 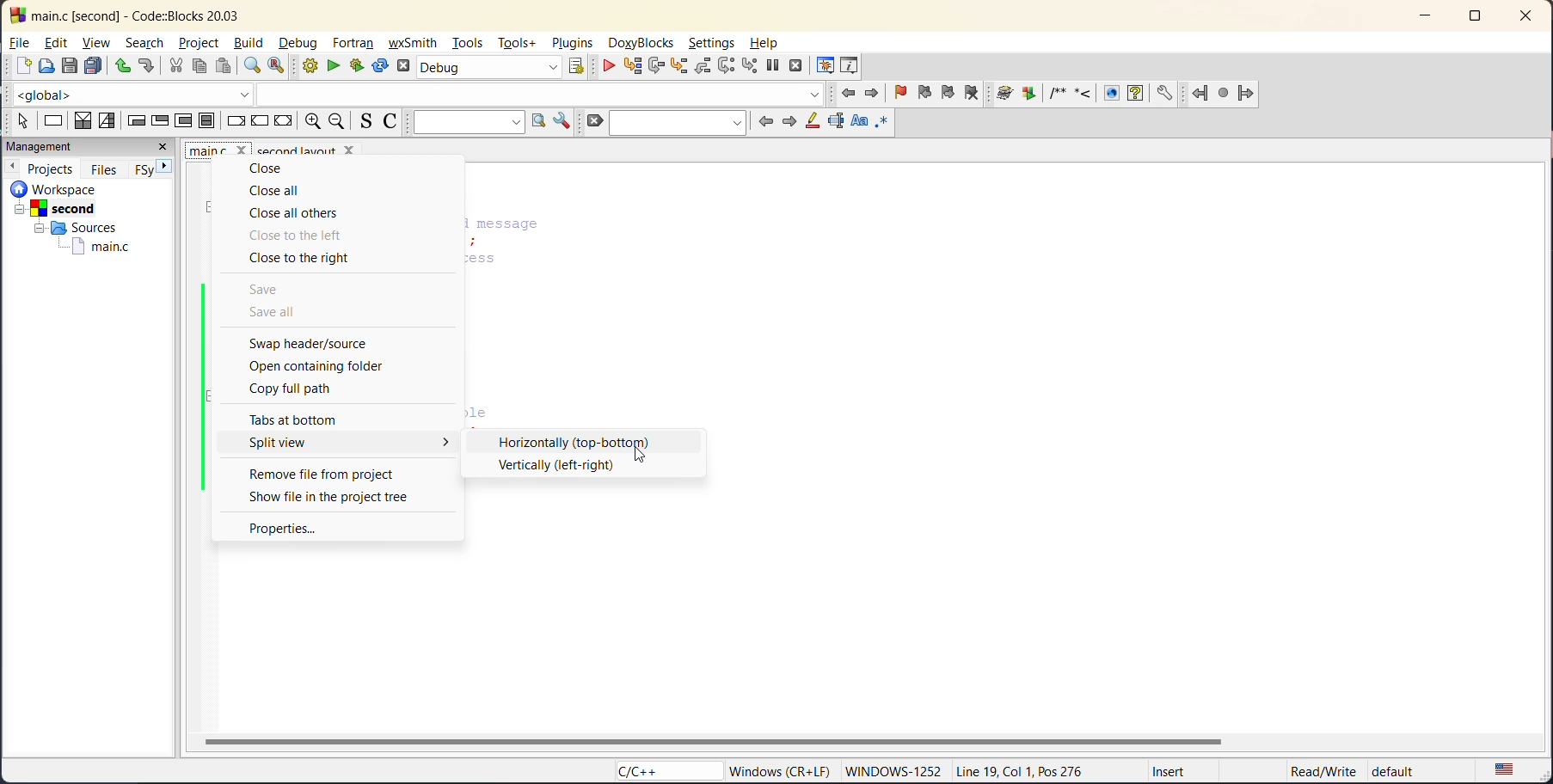 What do you see at coordinates (81, 188) in the screenshot?
I see `workspace` at bounding box center [81, 188].